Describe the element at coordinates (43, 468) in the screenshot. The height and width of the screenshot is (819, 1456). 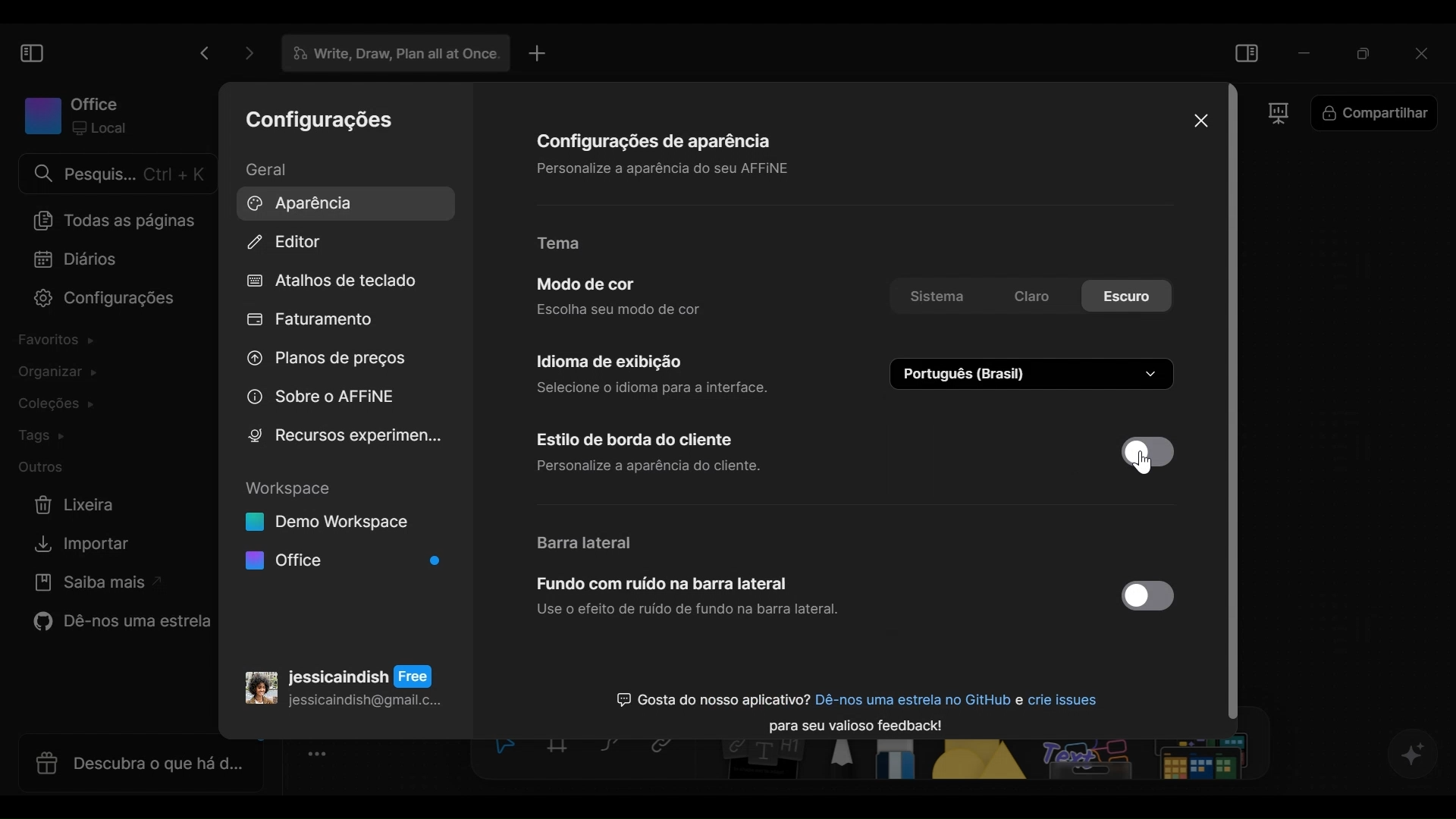
I see `Other` at that location.